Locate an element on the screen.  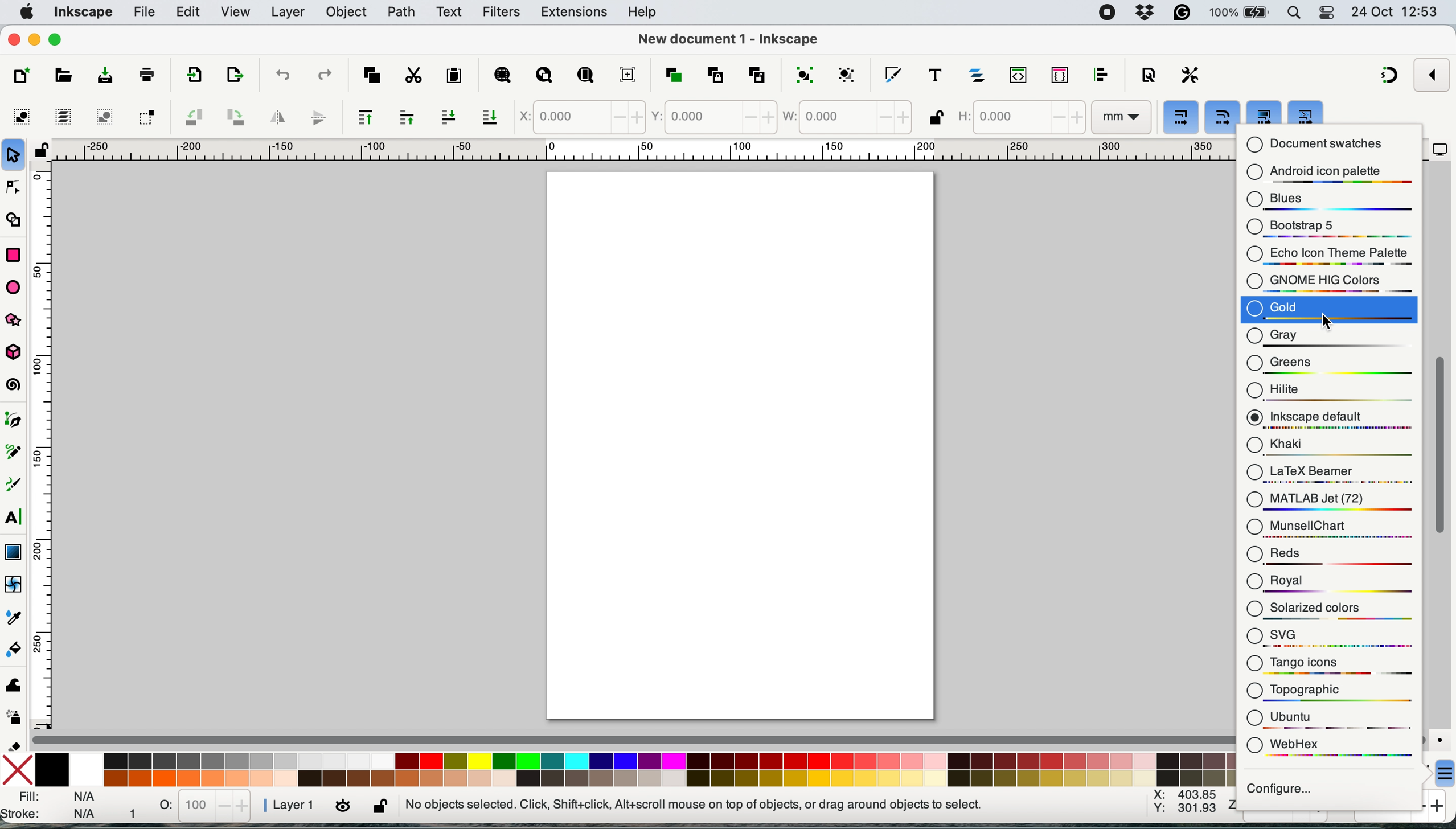
color managed mode is located at coordinates (1442, 738).